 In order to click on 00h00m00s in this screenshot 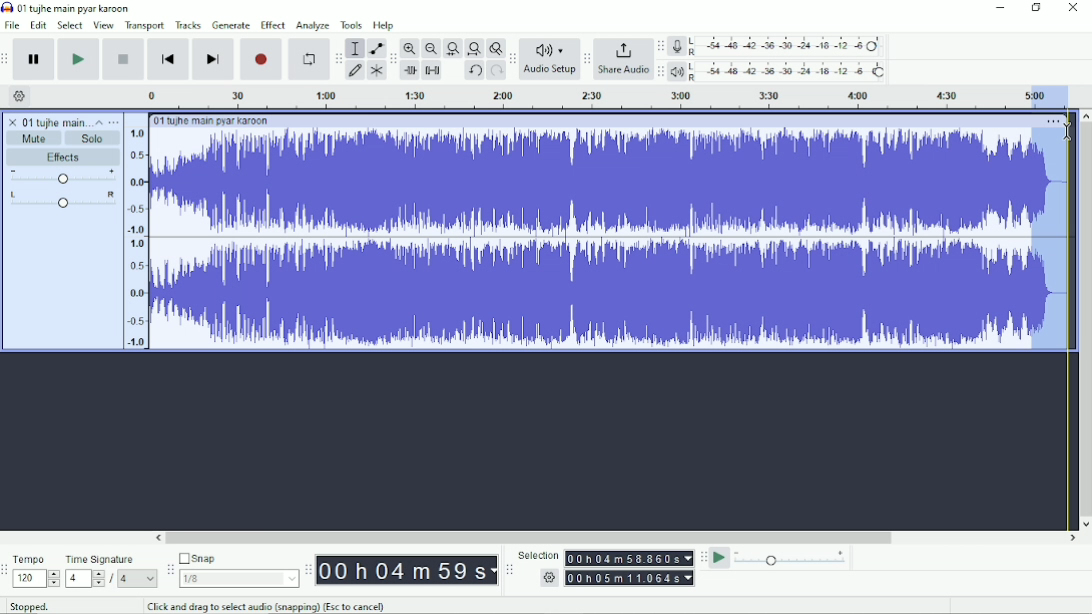, I will do `click(408, 571)`.